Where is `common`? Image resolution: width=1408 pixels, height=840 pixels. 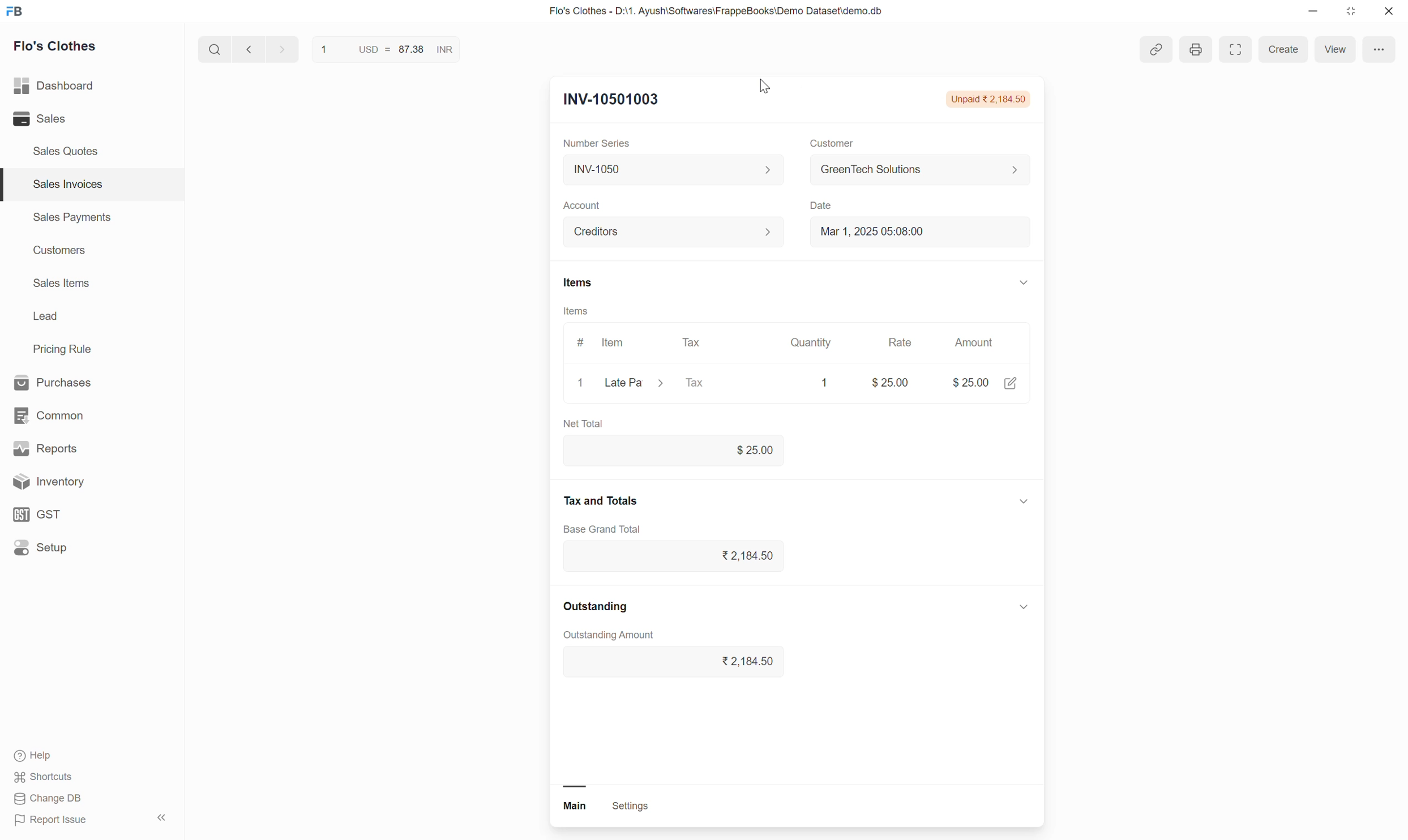
common is located at coordinates (74, 413).